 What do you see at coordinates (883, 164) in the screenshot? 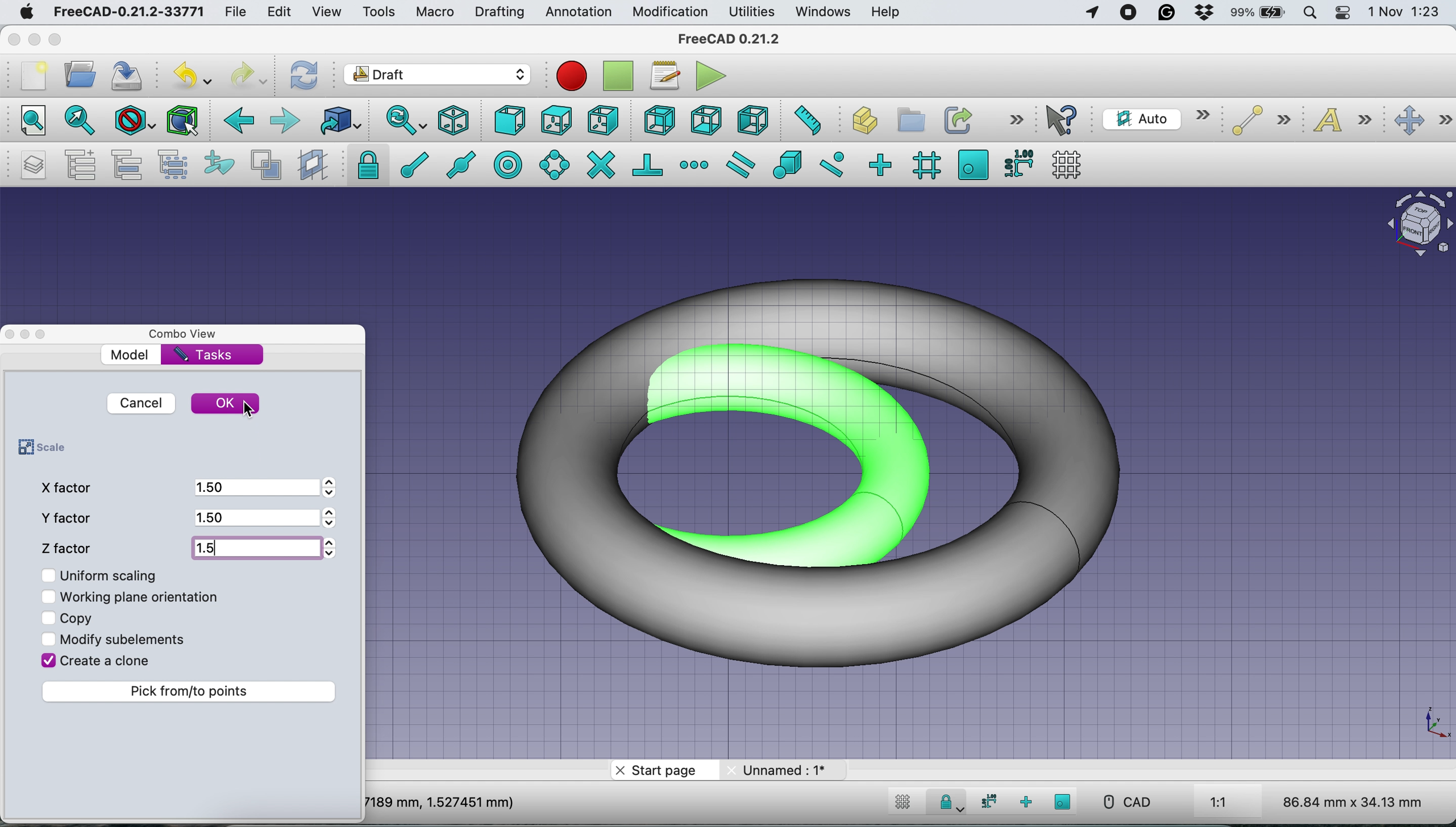
I see `snap ortho` at bounding box center [883, 164].